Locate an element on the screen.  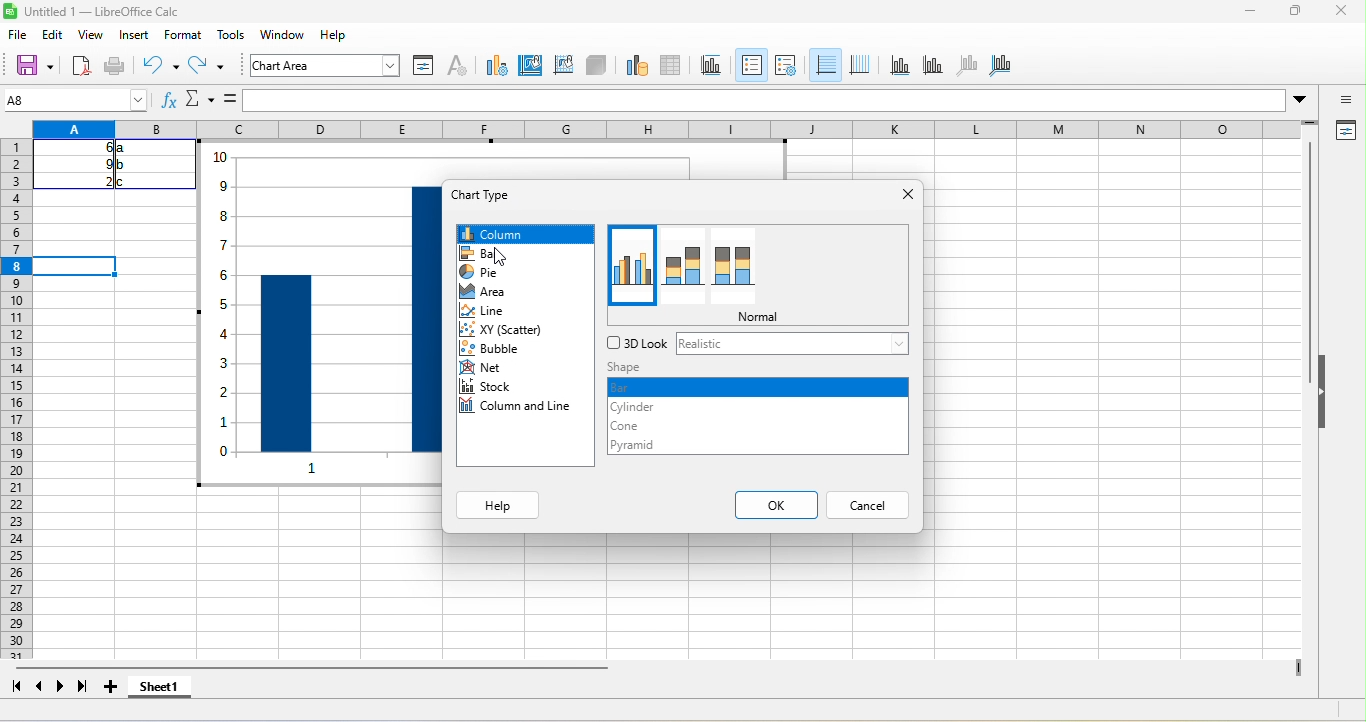
hide is located at coordinates (1326, 398).